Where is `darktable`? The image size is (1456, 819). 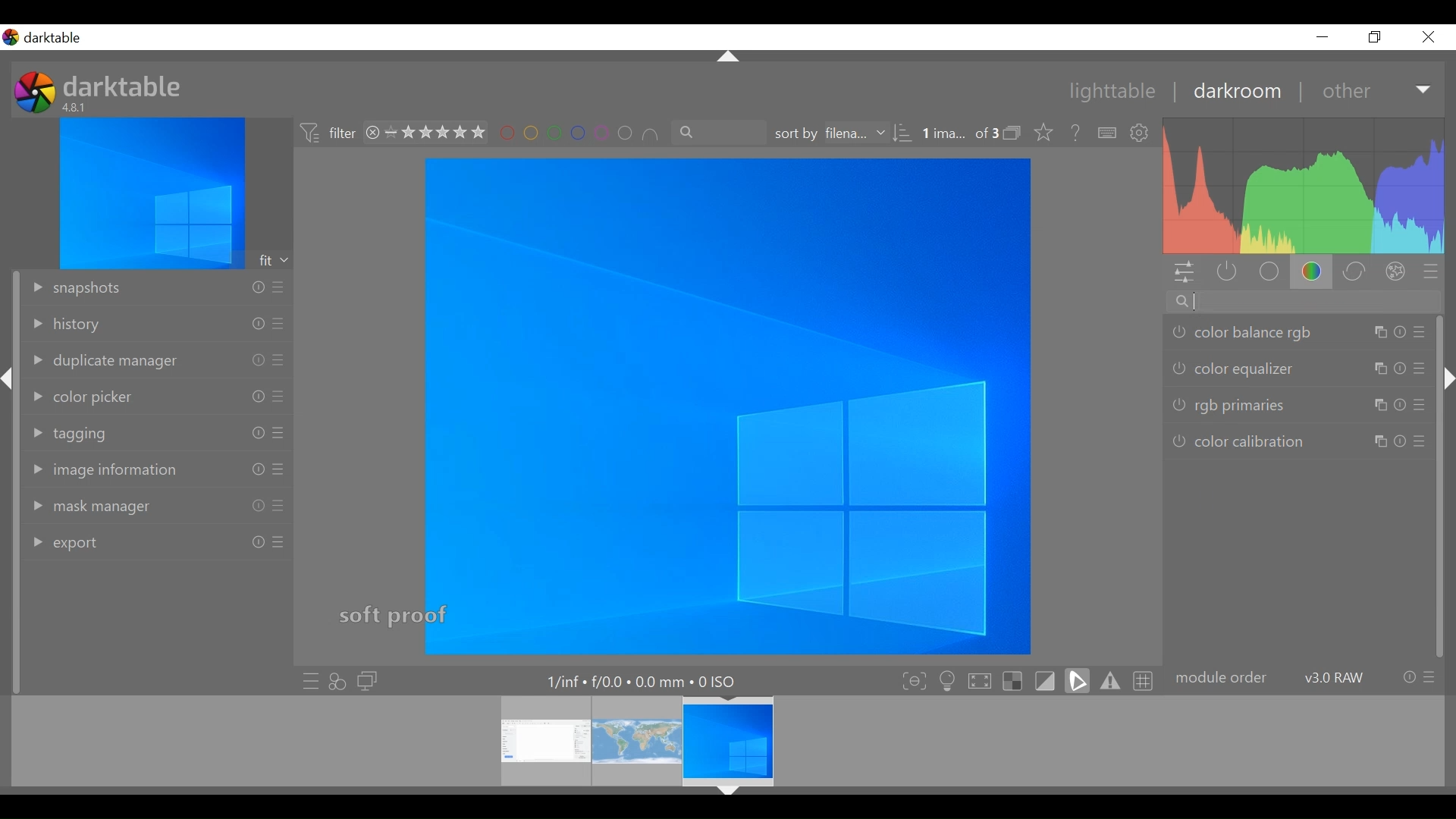 darktable is located at coordinates (58, 38).